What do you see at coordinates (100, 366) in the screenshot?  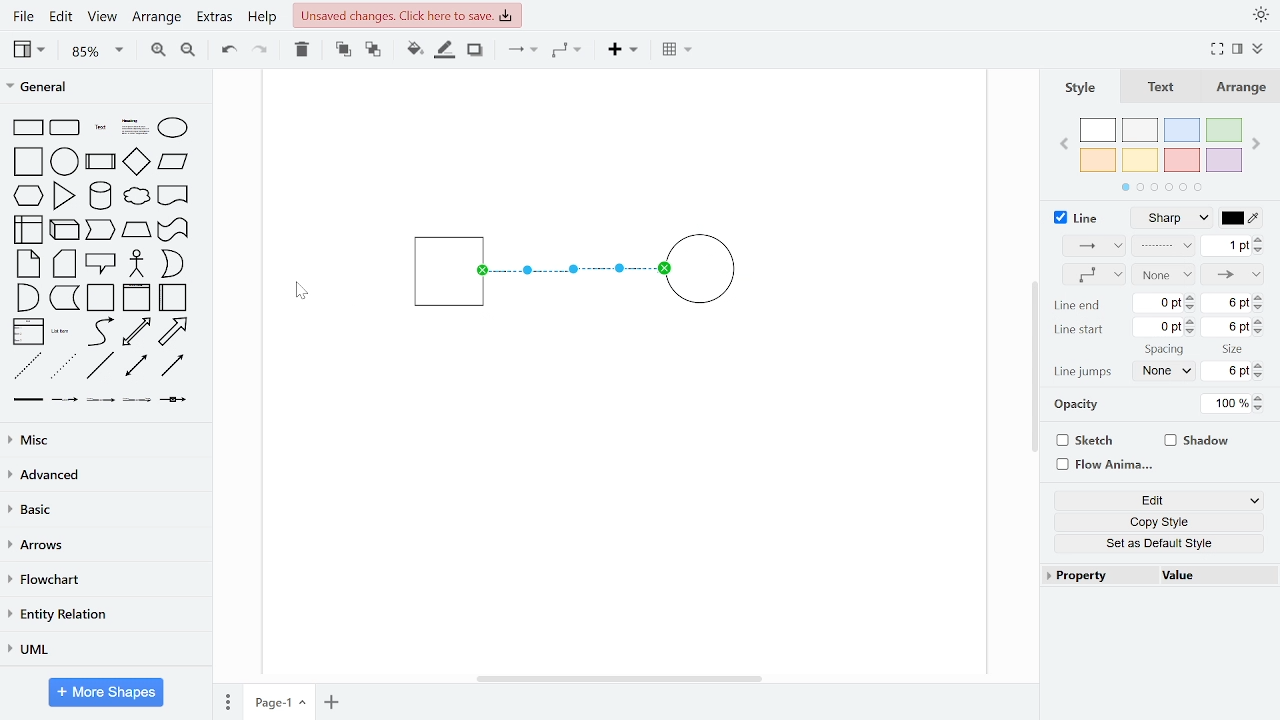 I see `line` at bounding box center [100, 366].